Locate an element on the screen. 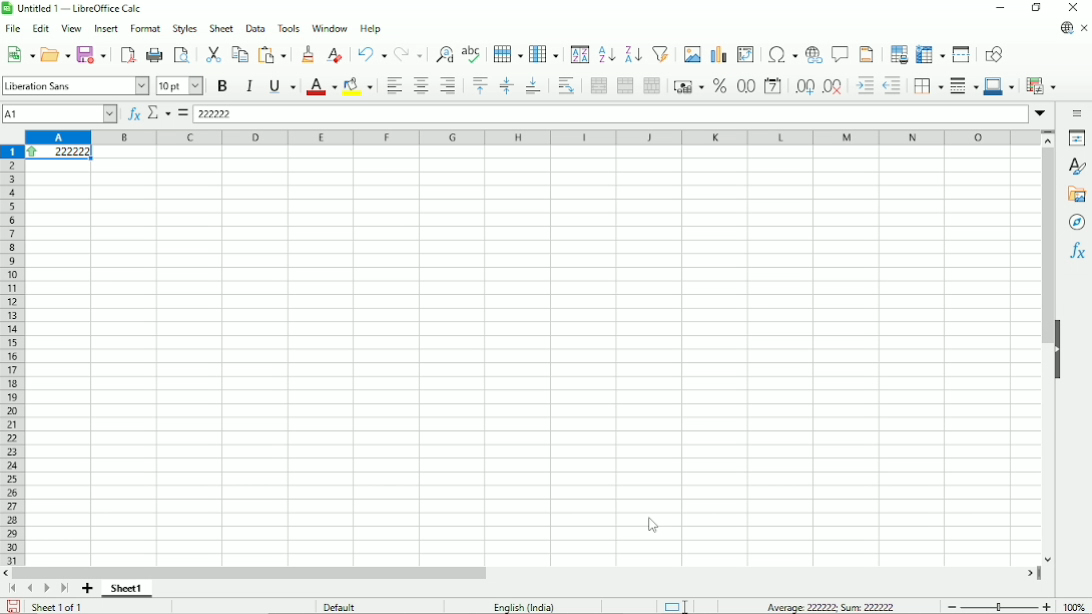  Scroll to next page is located at coordinates (47, 589).